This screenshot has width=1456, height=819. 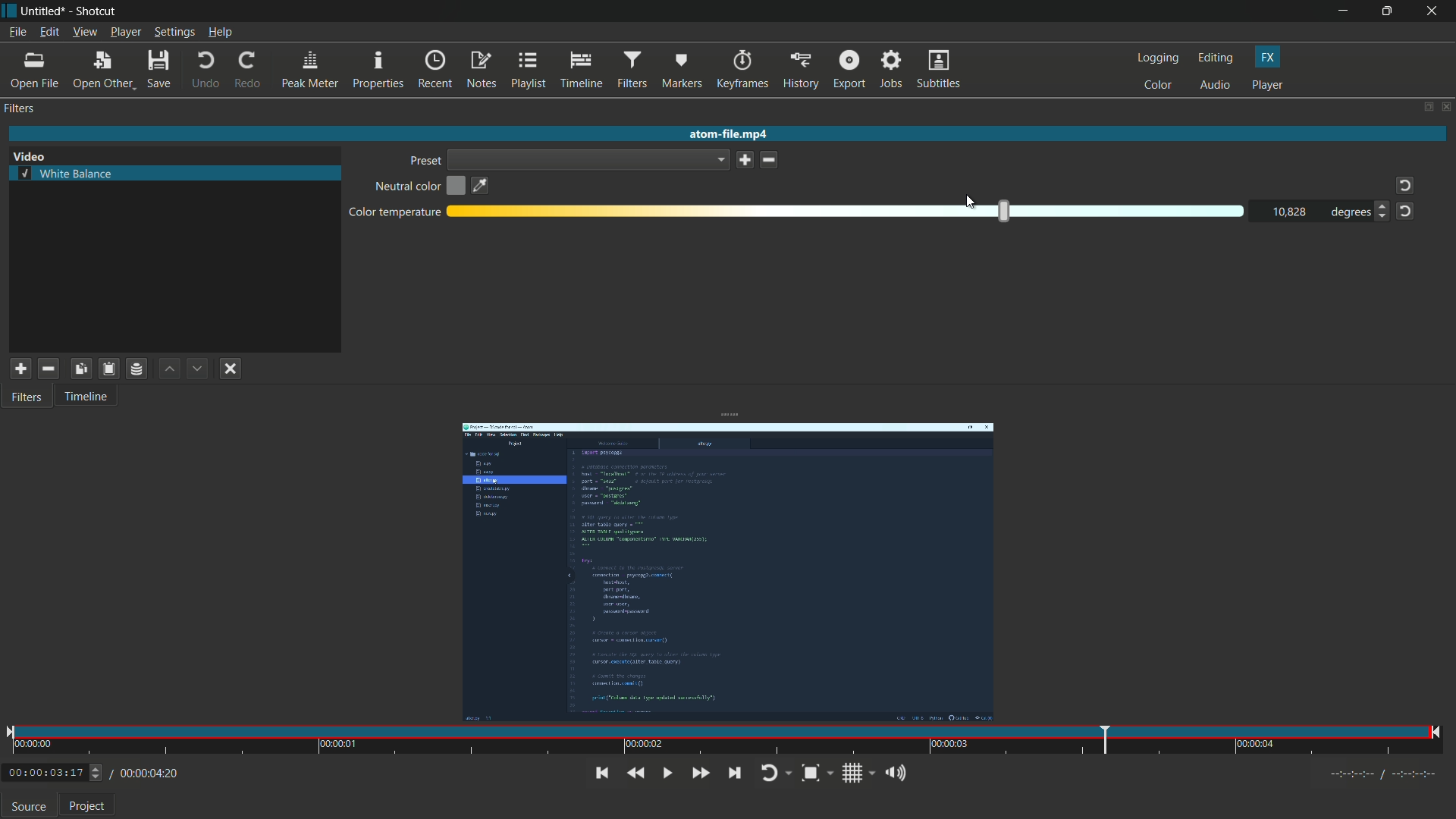 What do you see at coordinates (1216, 59) in the screenshot?
I see `editing` at bounding box center [1216, 59].